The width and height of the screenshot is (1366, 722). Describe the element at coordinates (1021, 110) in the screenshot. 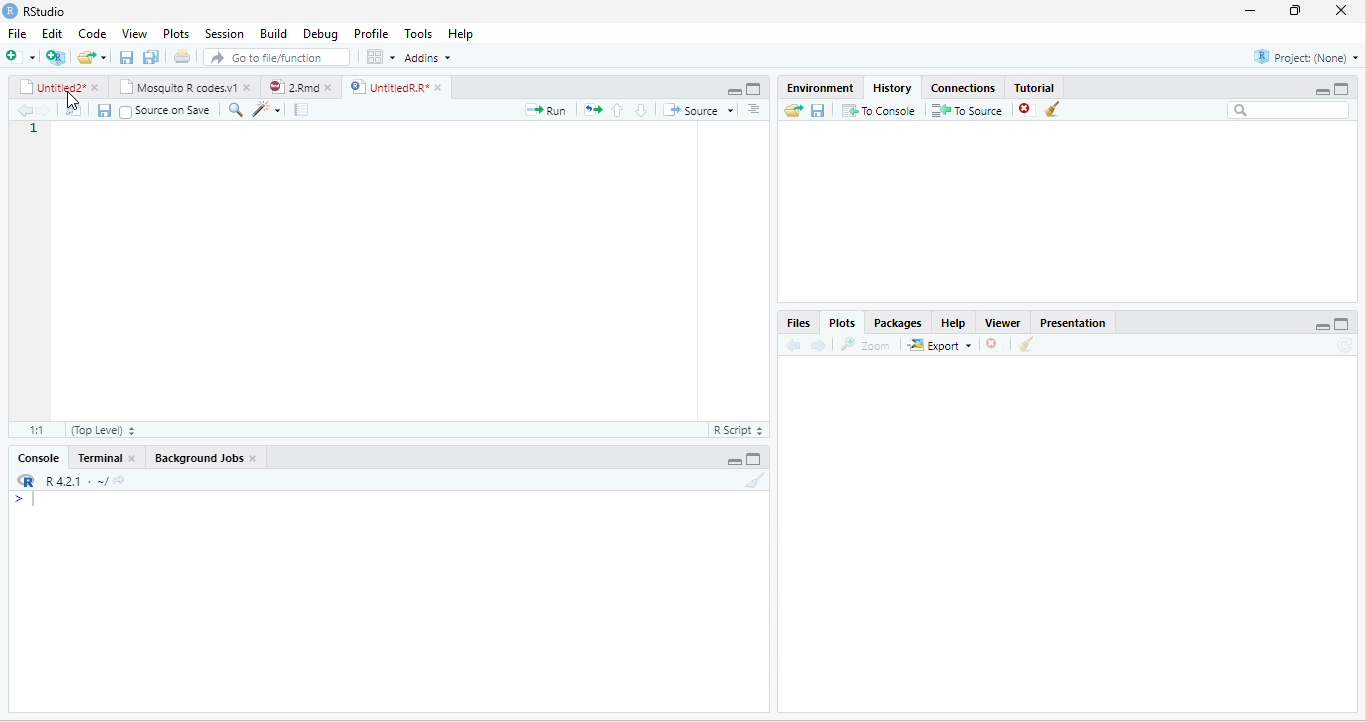

I see `close` at that location.